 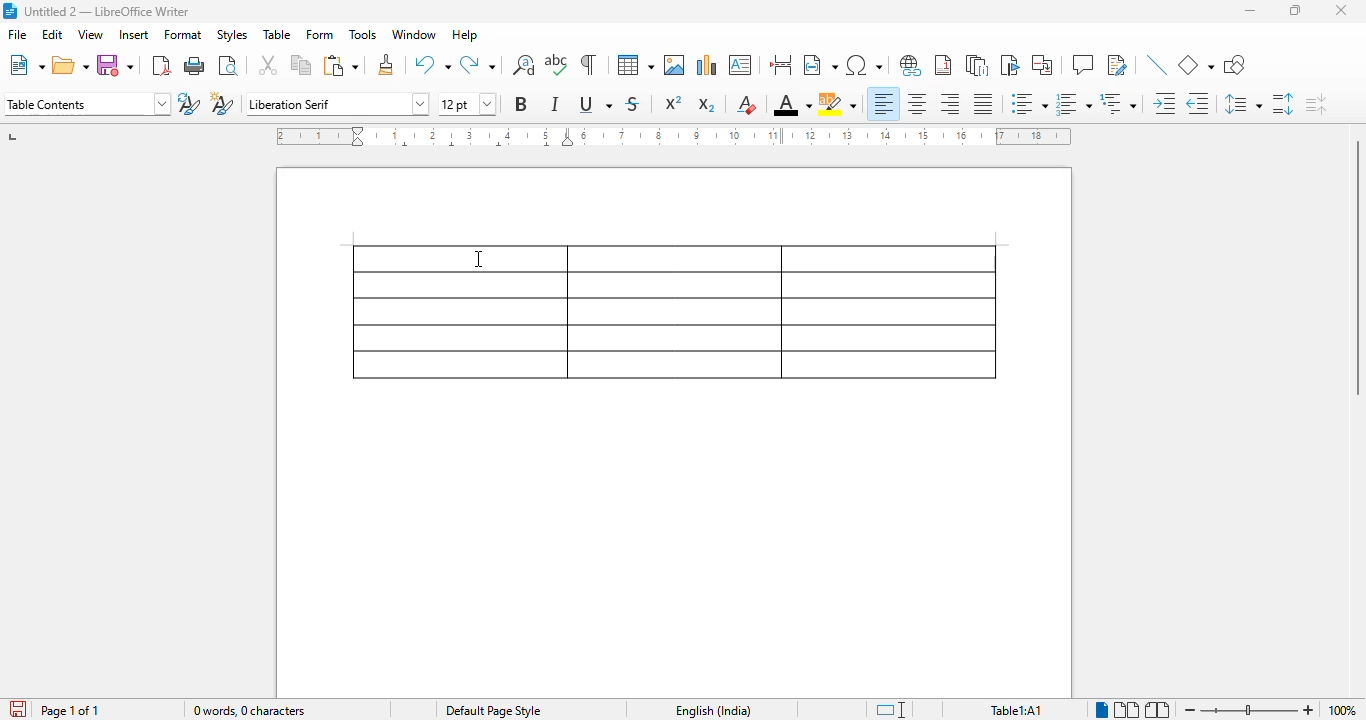 I want to click on justified, so click(x=983, y=103).